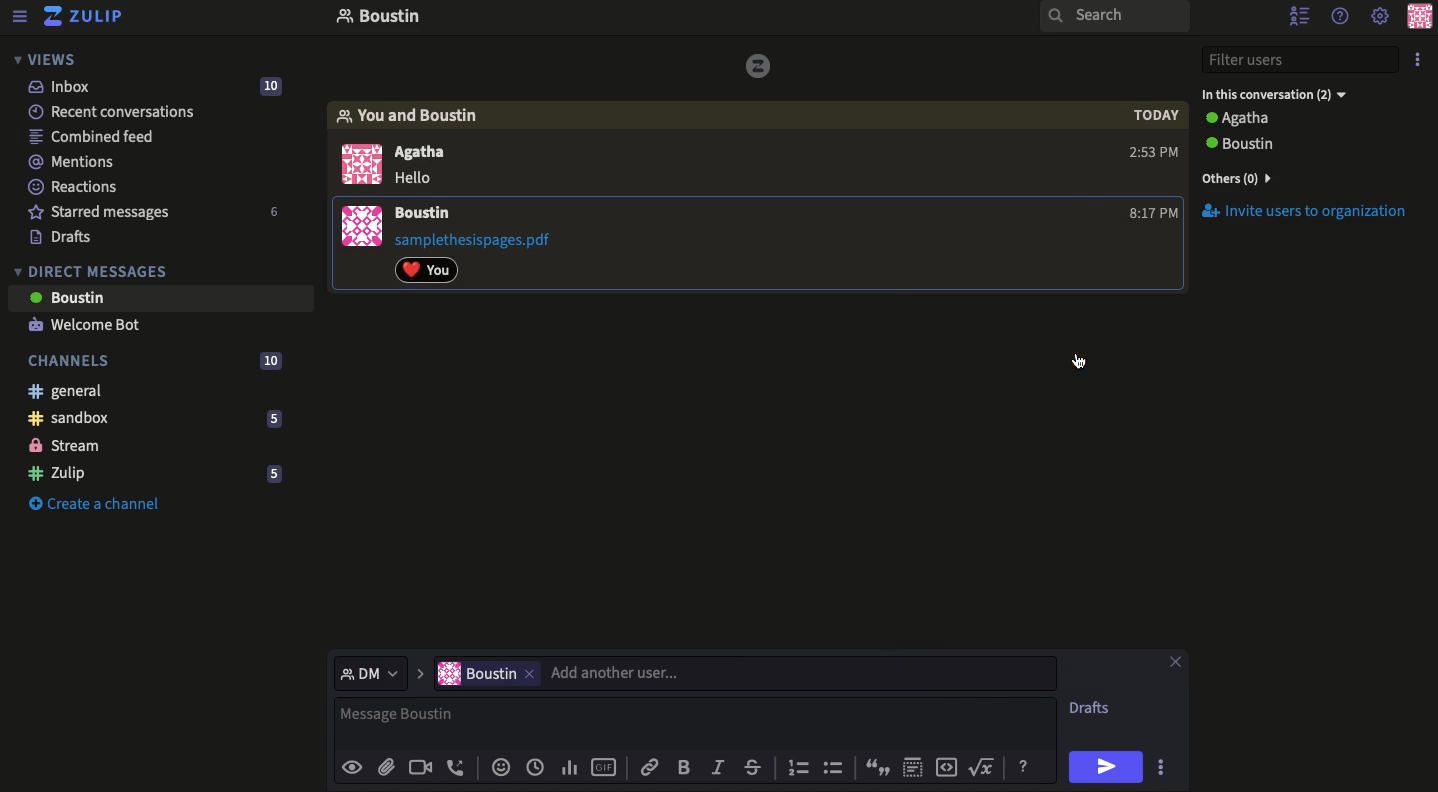  What do you see at coordinates (803, 673) in the screenshot?
I see `add another user` at bounding box center [803, 673].